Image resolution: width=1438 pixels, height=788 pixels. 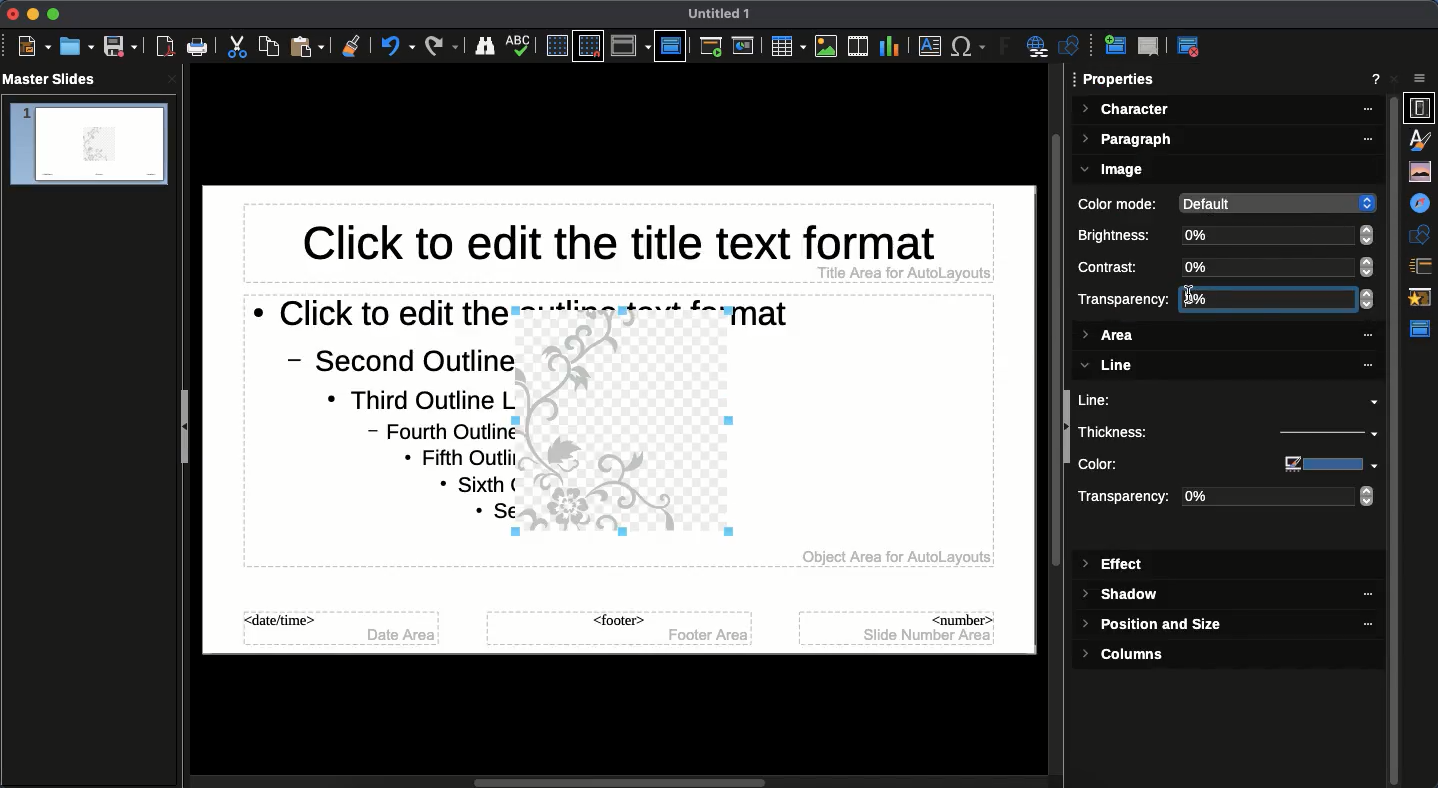 I want to click on Redo, so click(x=442, y=46).